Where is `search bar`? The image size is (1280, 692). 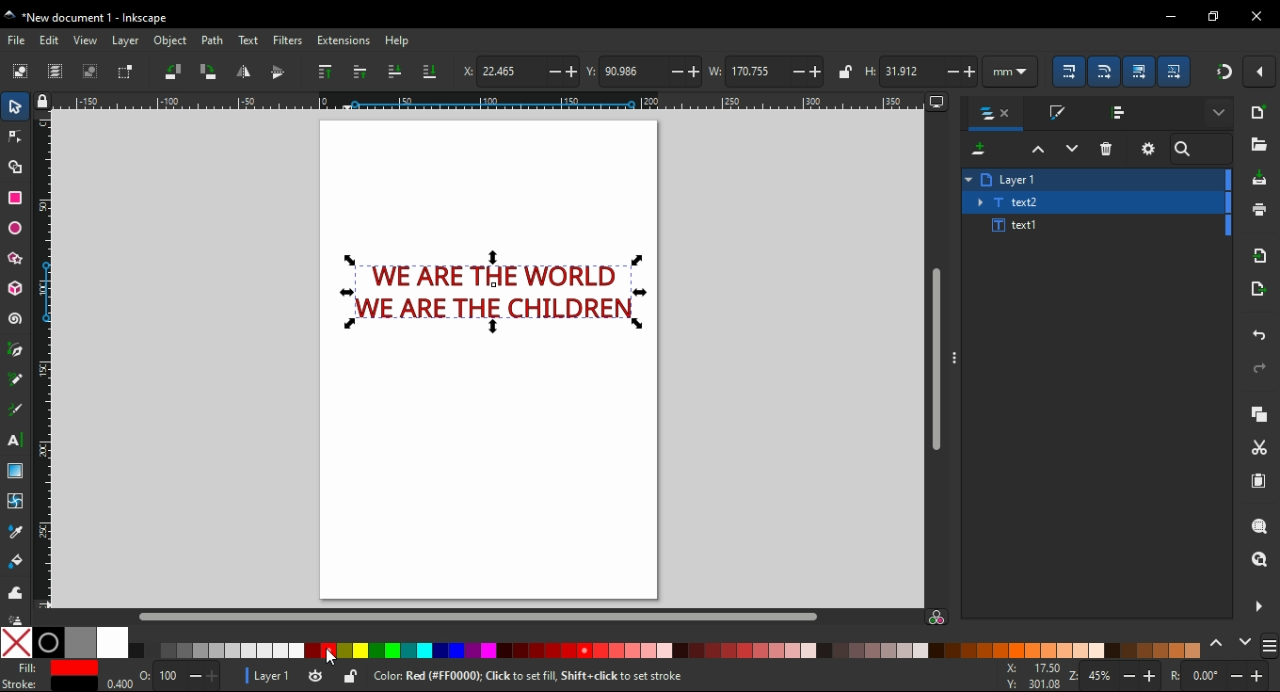 search bar is located at coordinates (1201, 149).